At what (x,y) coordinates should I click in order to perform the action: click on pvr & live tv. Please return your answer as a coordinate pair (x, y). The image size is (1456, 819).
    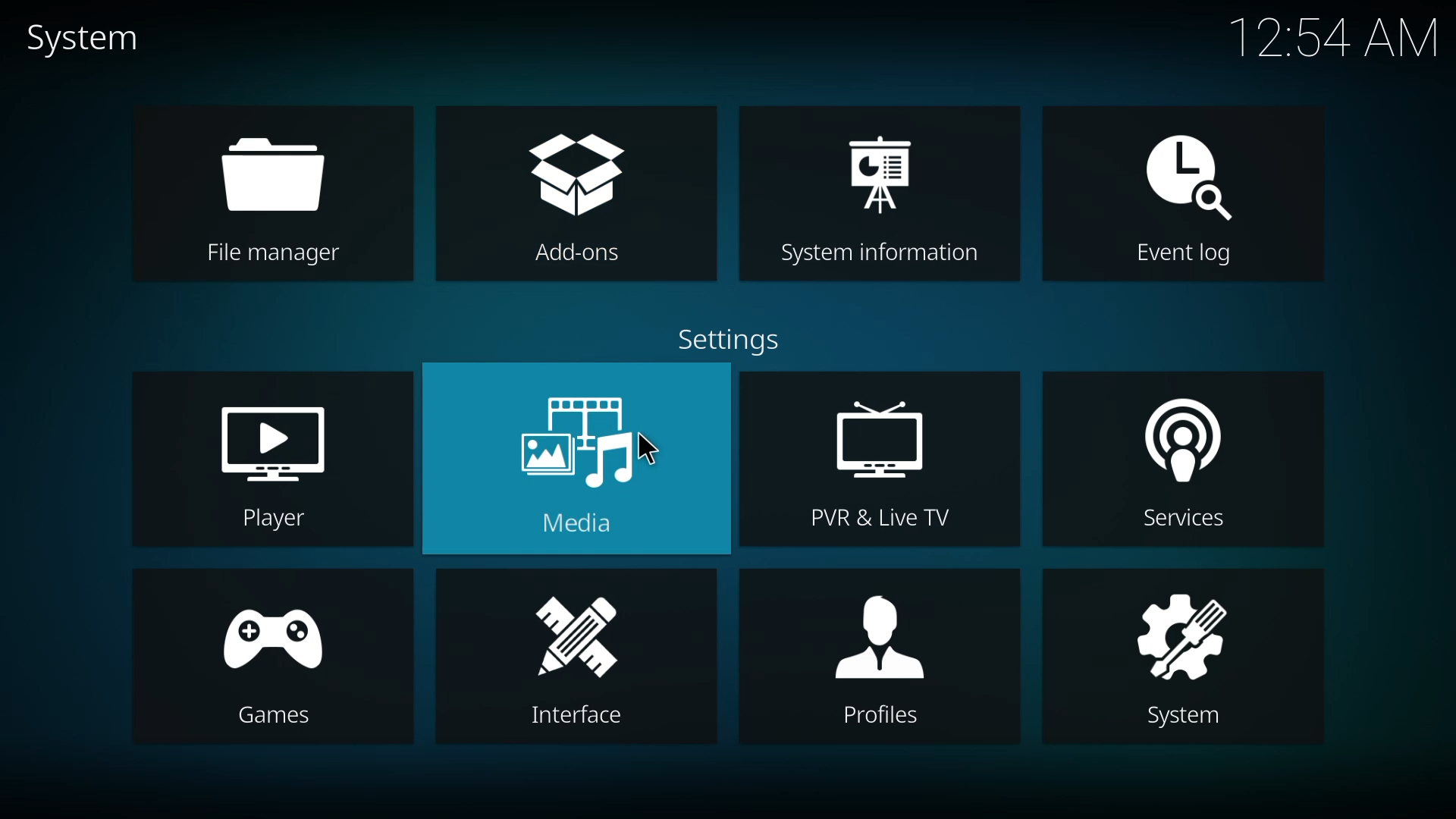
    Looking at the image, I should click on (883, 457).